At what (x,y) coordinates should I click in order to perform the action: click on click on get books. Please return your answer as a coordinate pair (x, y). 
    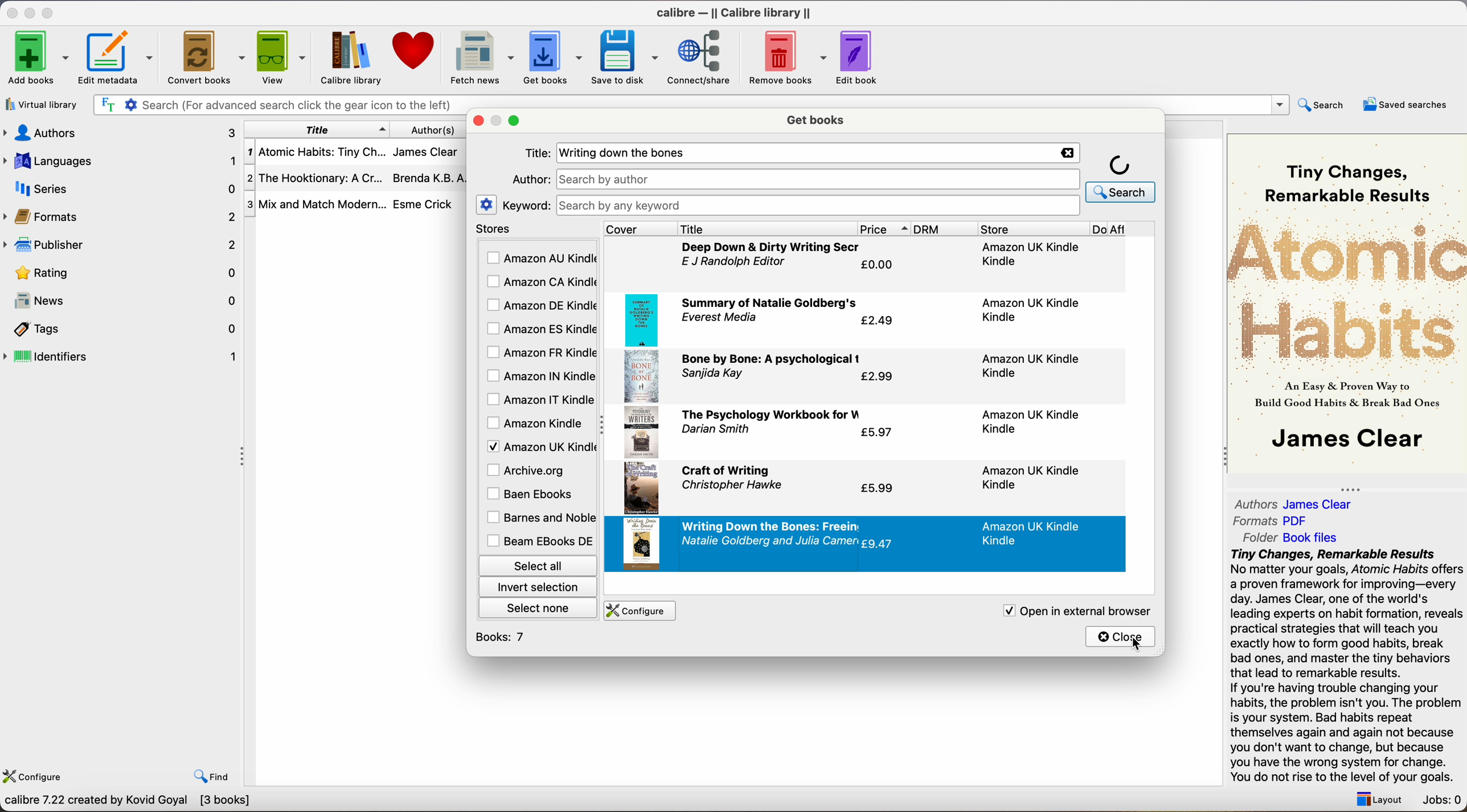
    Looking at the image, I should click on (544, 56).